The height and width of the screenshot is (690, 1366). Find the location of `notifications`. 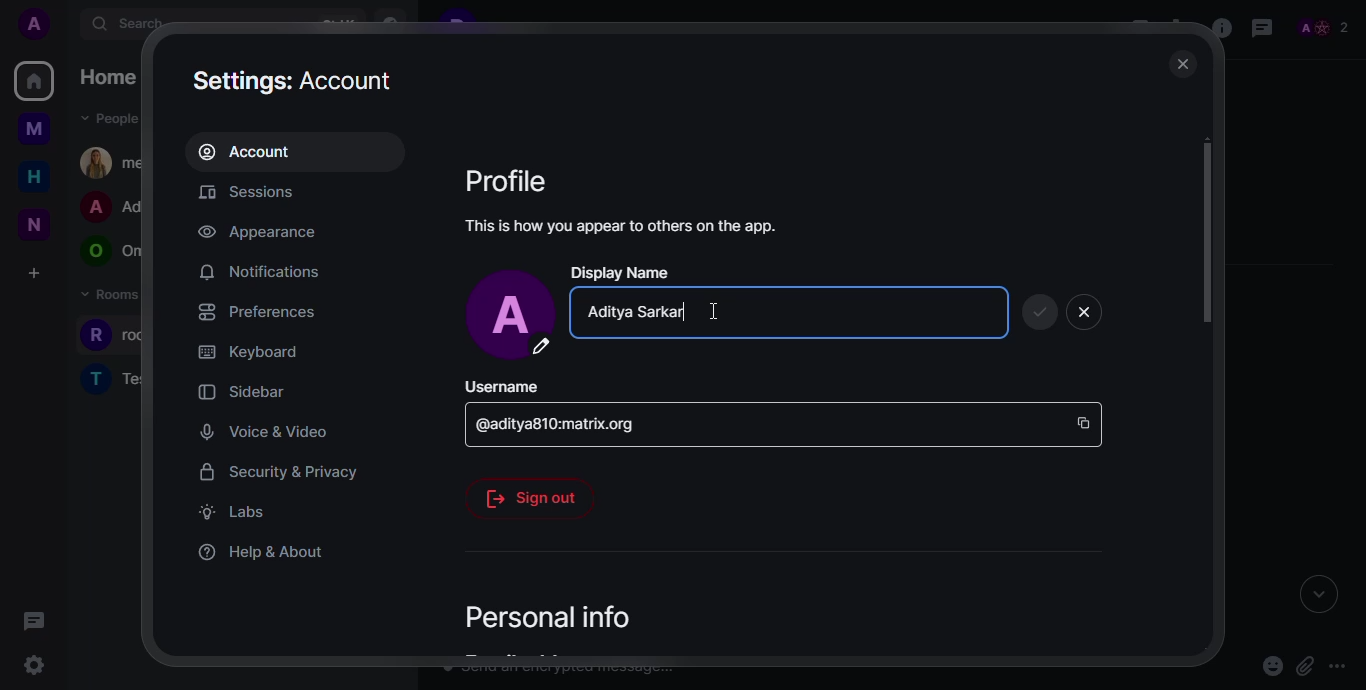

notifications is located at coordinates (259, 272).